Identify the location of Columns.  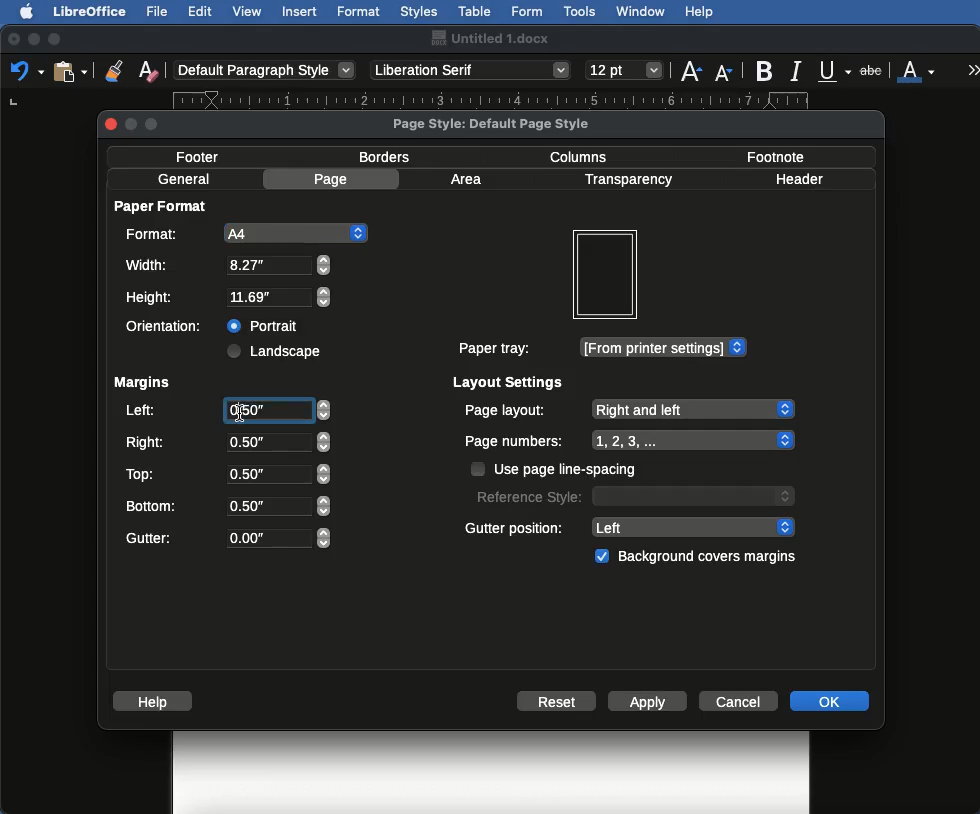
(584, 155).